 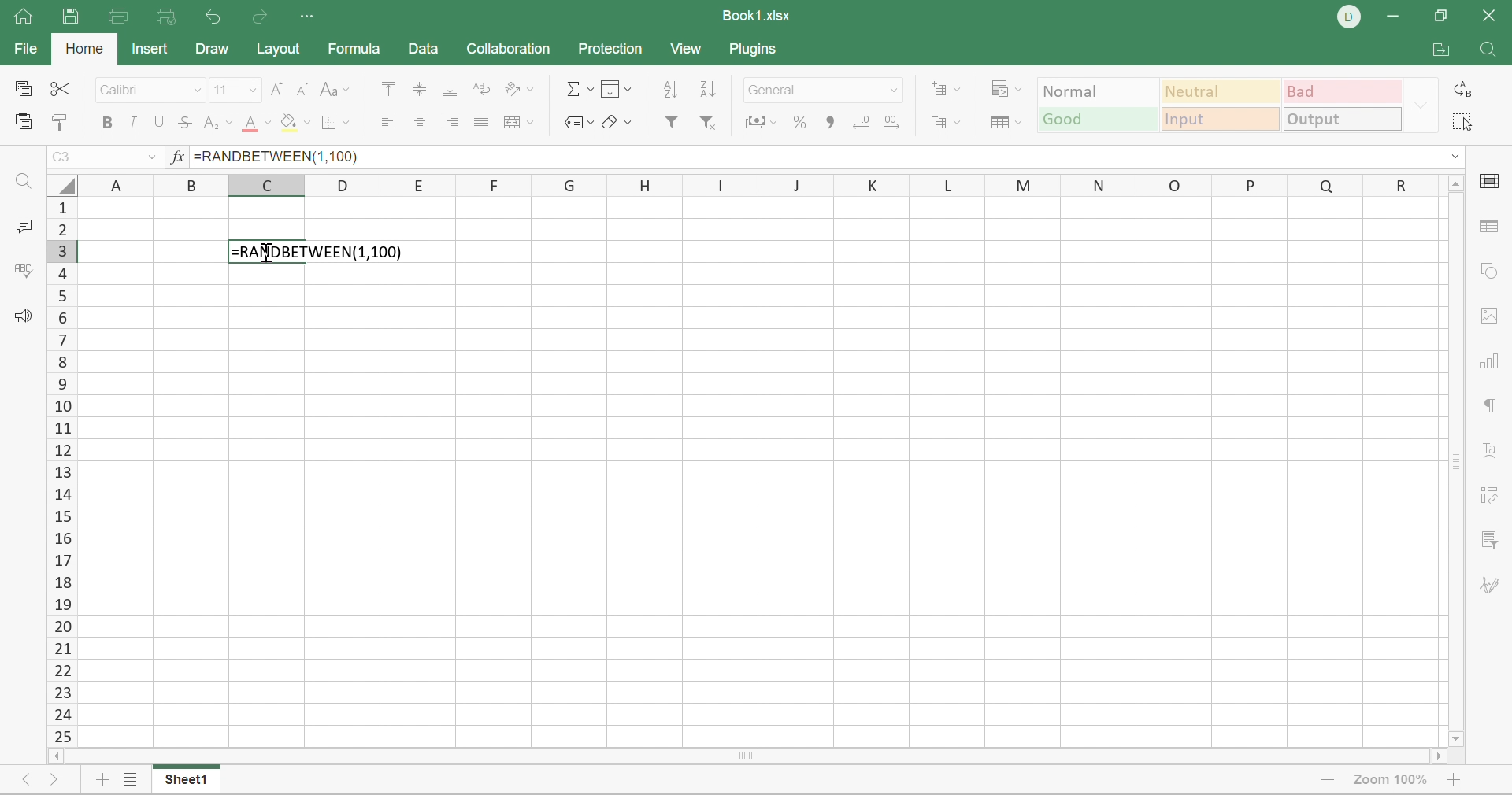 I want to click on Good, so click(x=1095, y=120).